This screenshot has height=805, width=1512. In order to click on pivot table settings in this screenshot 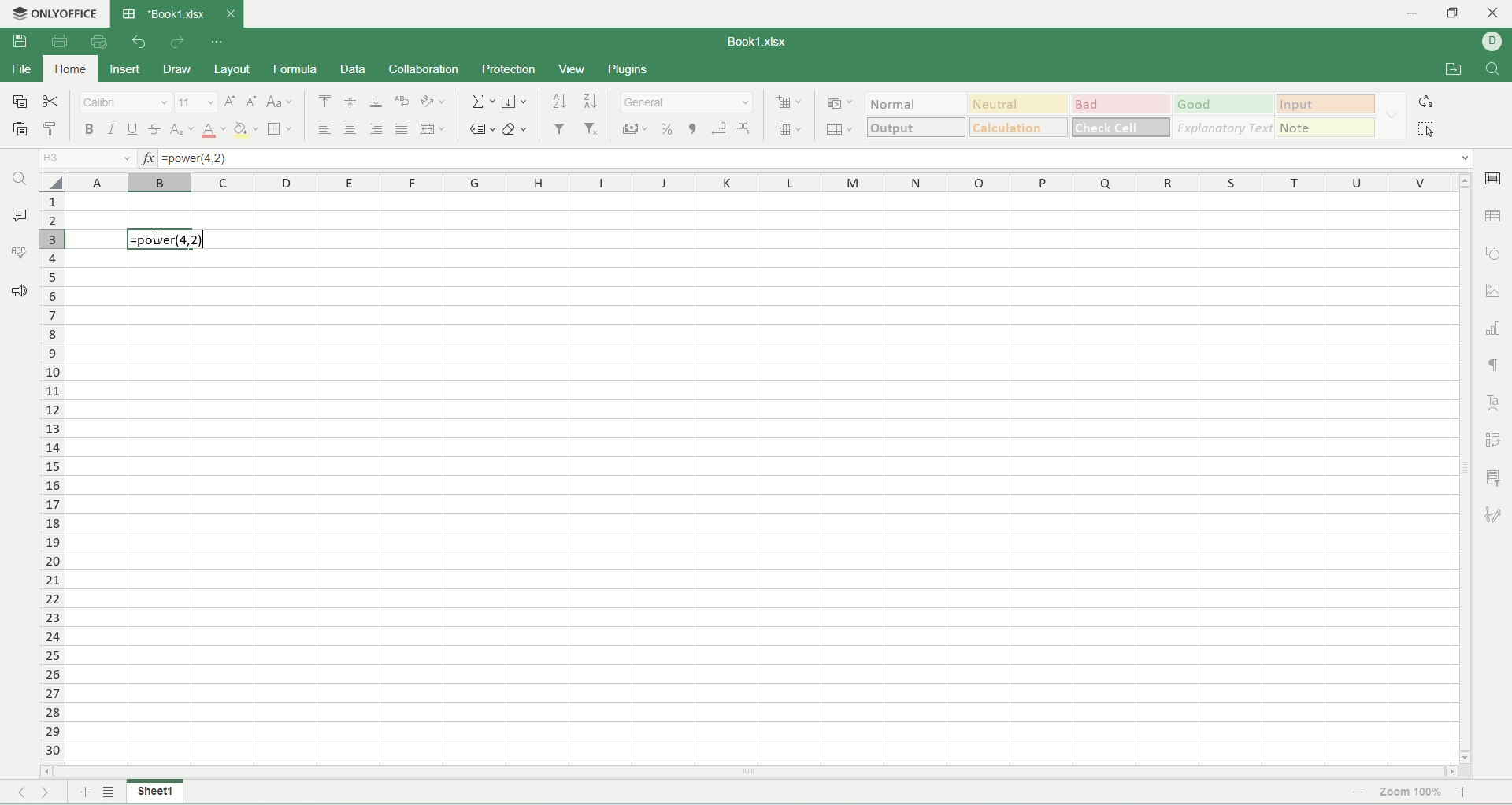, I will do `click(1495, 440)`.